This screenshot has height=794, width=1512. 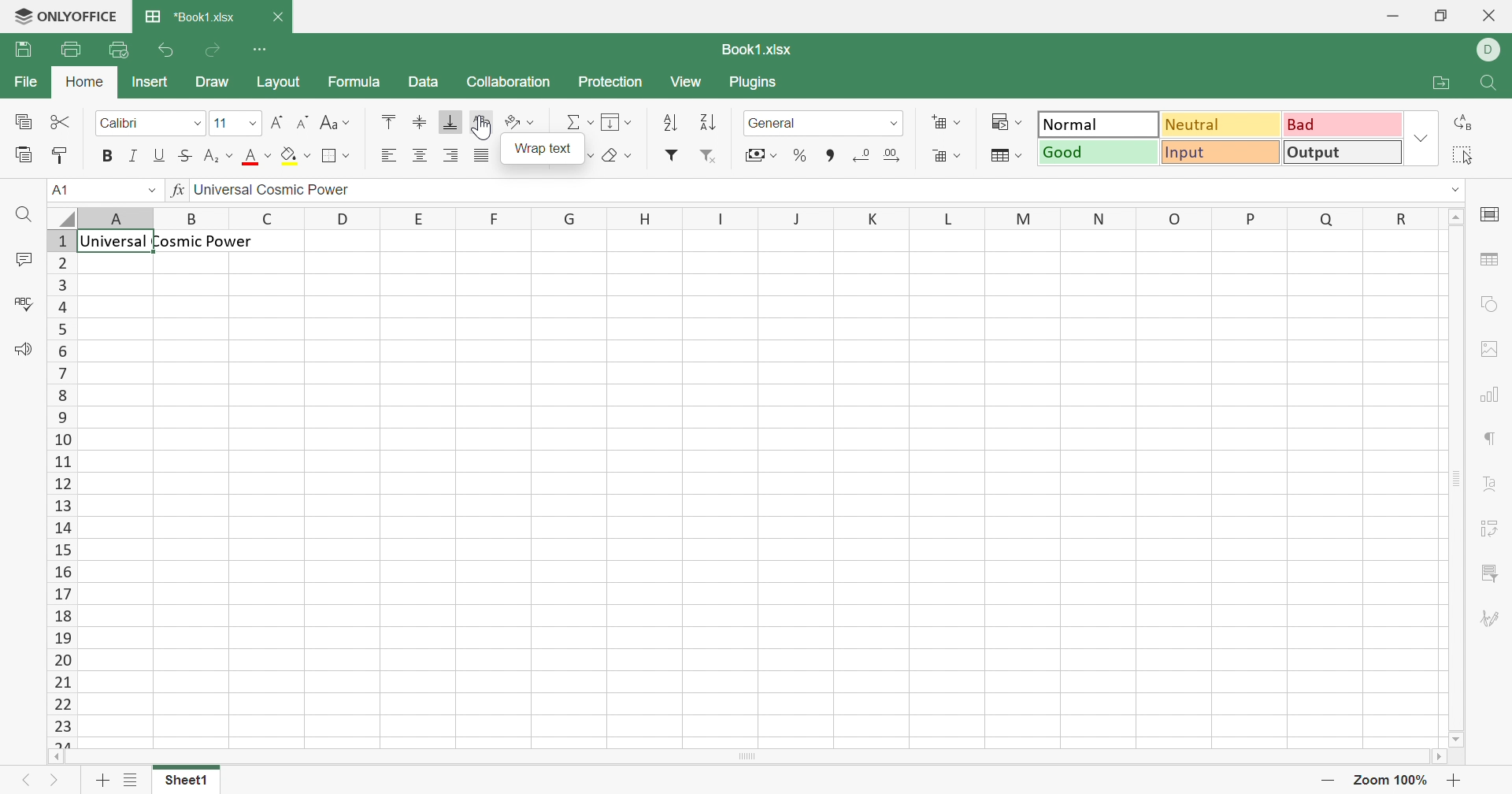 What do you see at coordinates (282, 121) in the screenshot?
I see `Increment font size` at bounding box center [282, 121].